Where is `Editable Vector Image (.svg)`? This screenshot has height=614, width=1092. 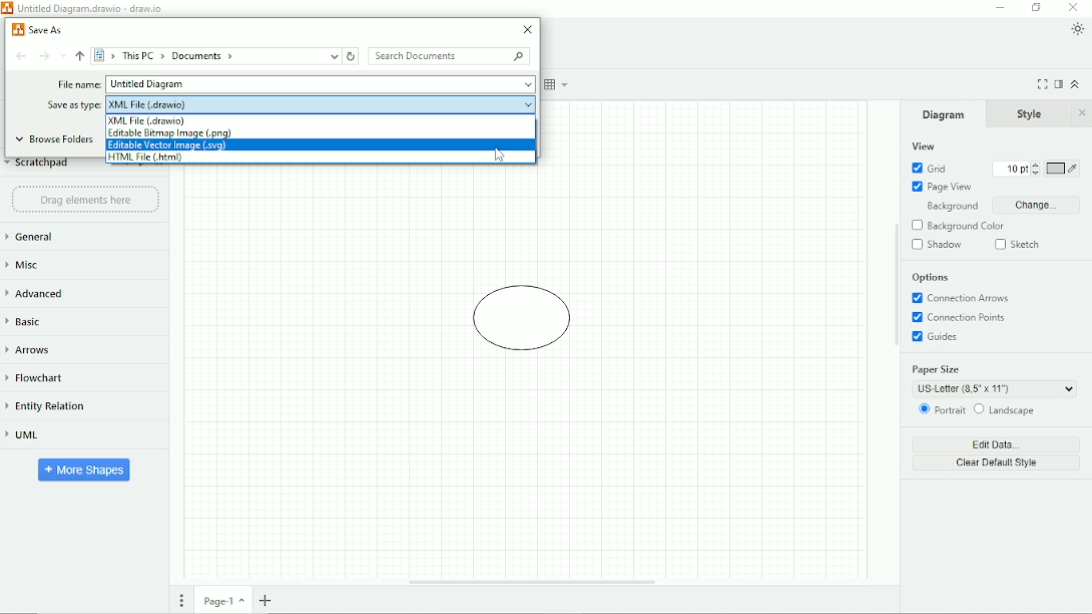 Editable Vector Image (.svg) is located at coordinates (174, 146).